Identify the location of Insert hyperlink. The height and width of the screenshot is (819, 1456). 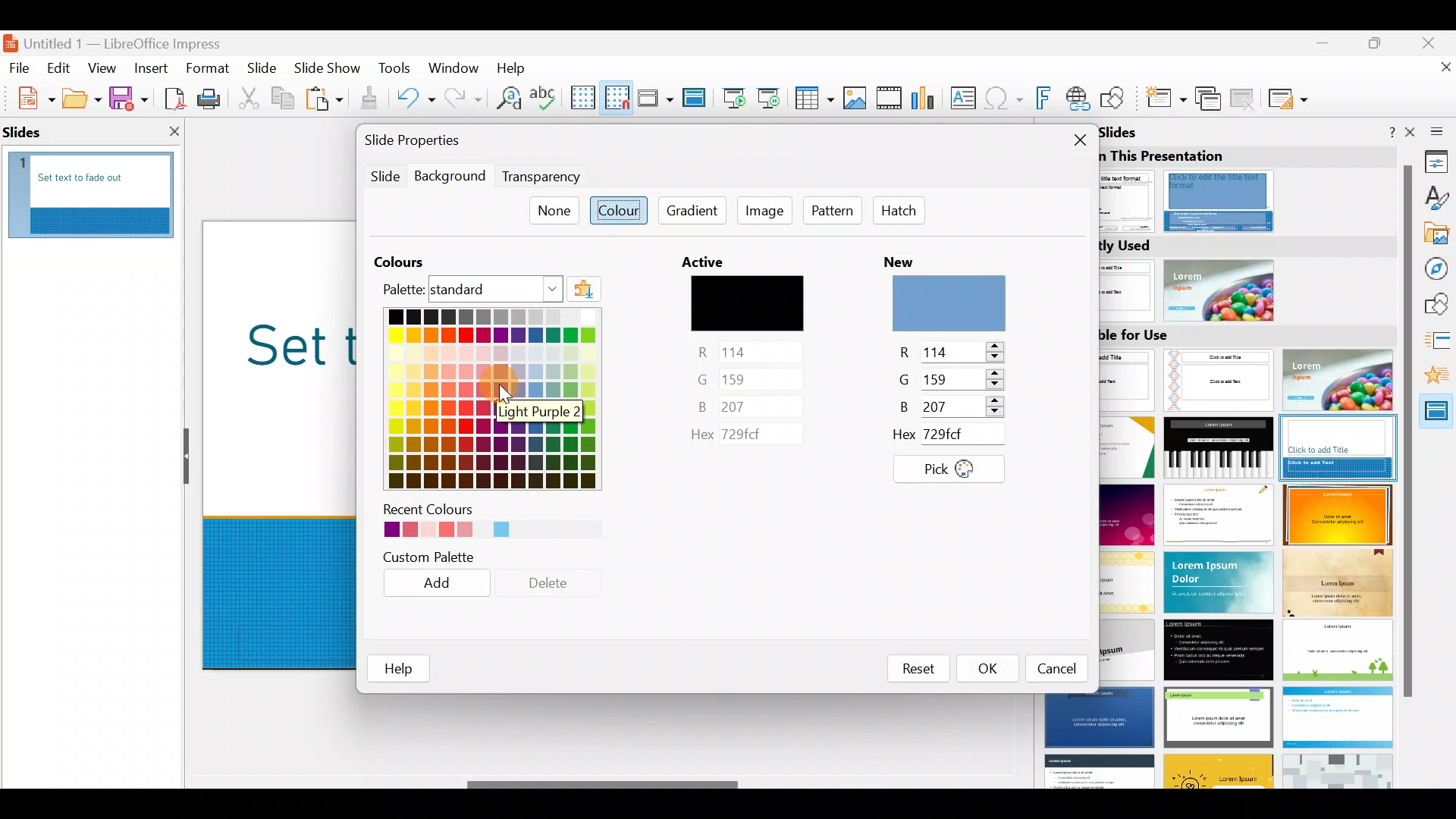
(1079, 98).